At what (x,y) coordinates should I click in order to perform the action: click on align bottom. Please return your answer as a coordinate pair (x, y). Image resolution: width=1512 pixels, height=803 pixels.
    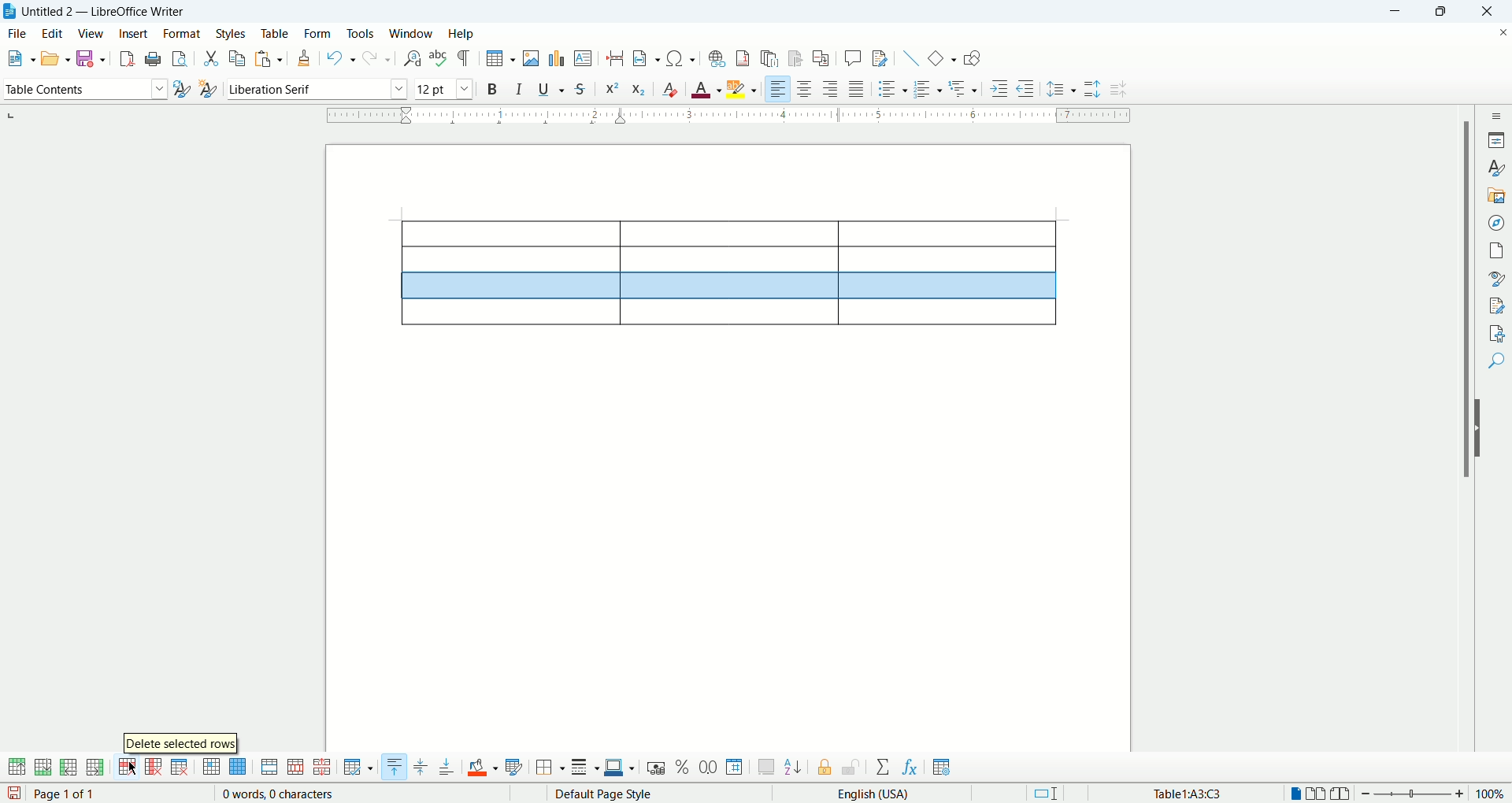
    Looking at the image, I should click on (448, 769).